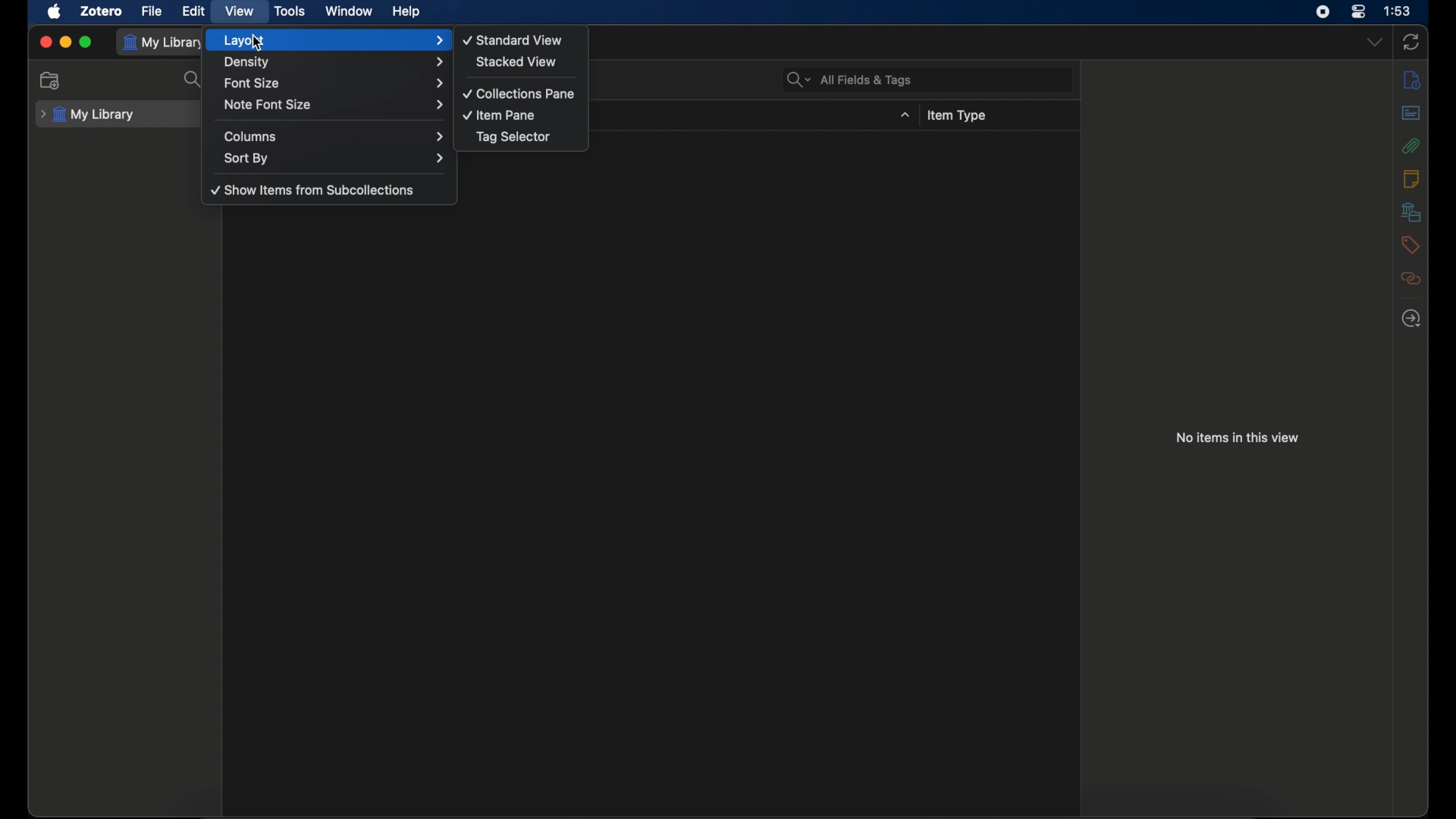  Describe the element at coordinates (87, 115) in the screenshot. I see `my library` at that location.